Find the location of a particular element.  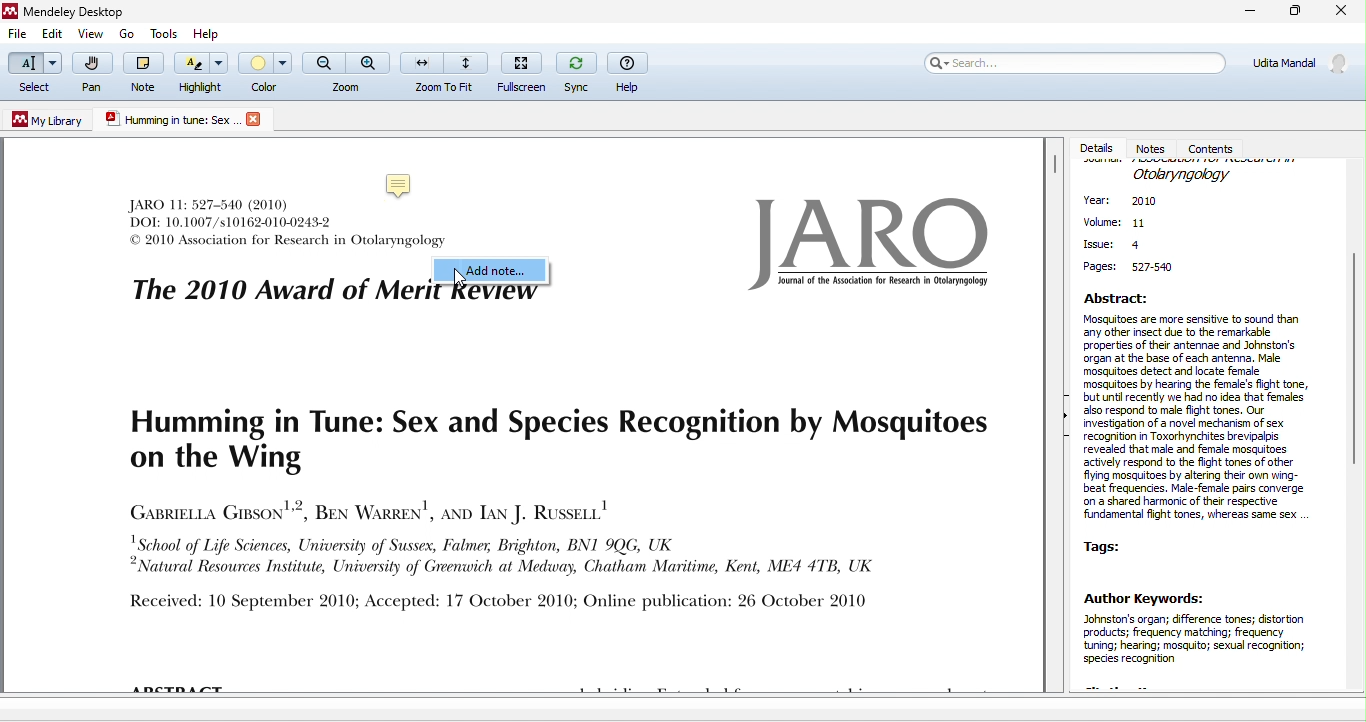

Mendeley Desktop is located at coordinates (81, 12).